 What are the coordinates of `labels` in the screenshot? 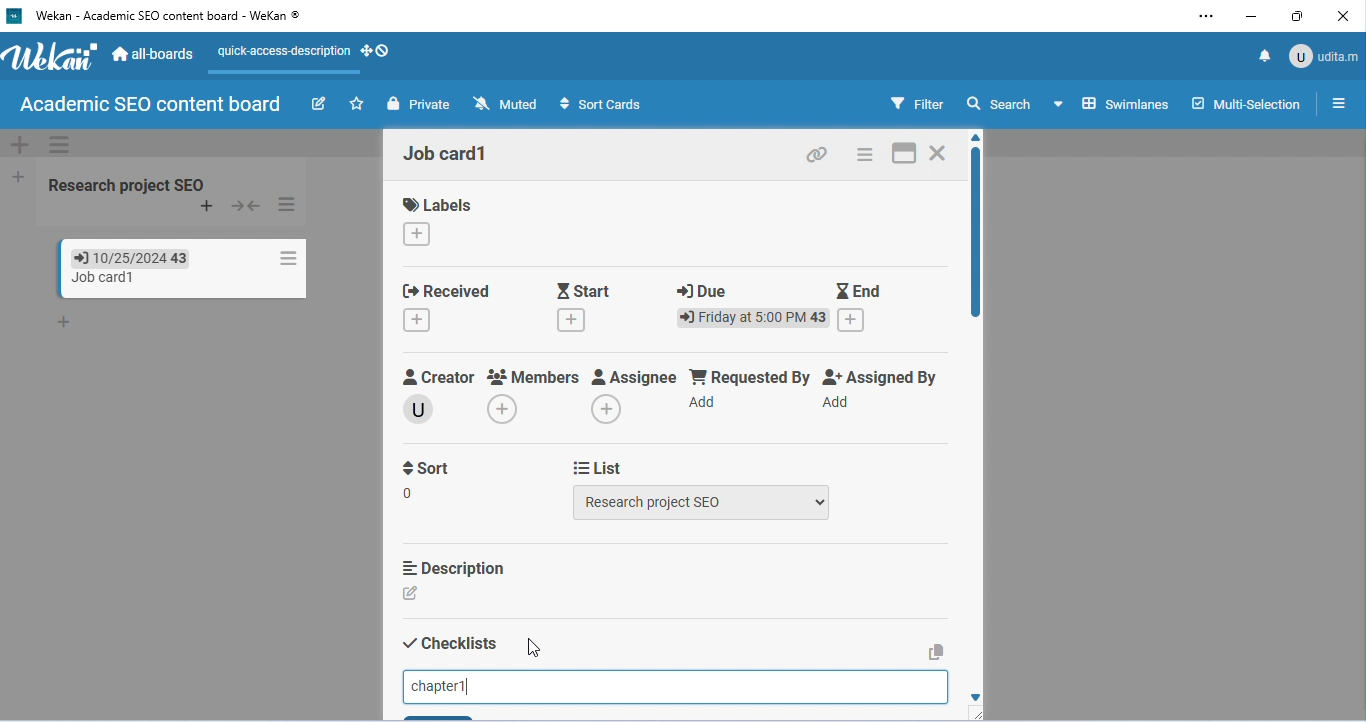 It's located at (438, 205).